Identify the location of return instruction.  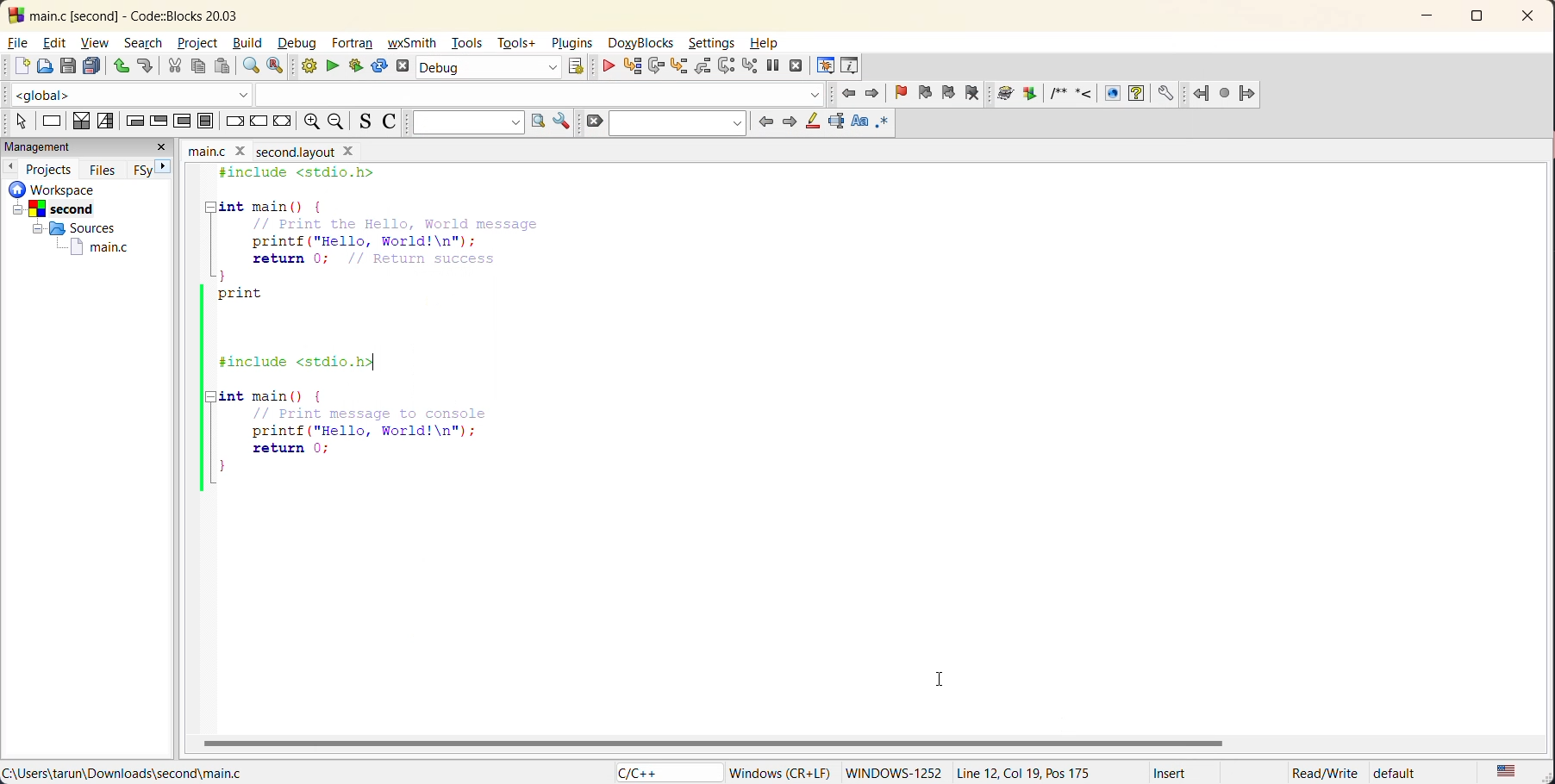
(283, 121).